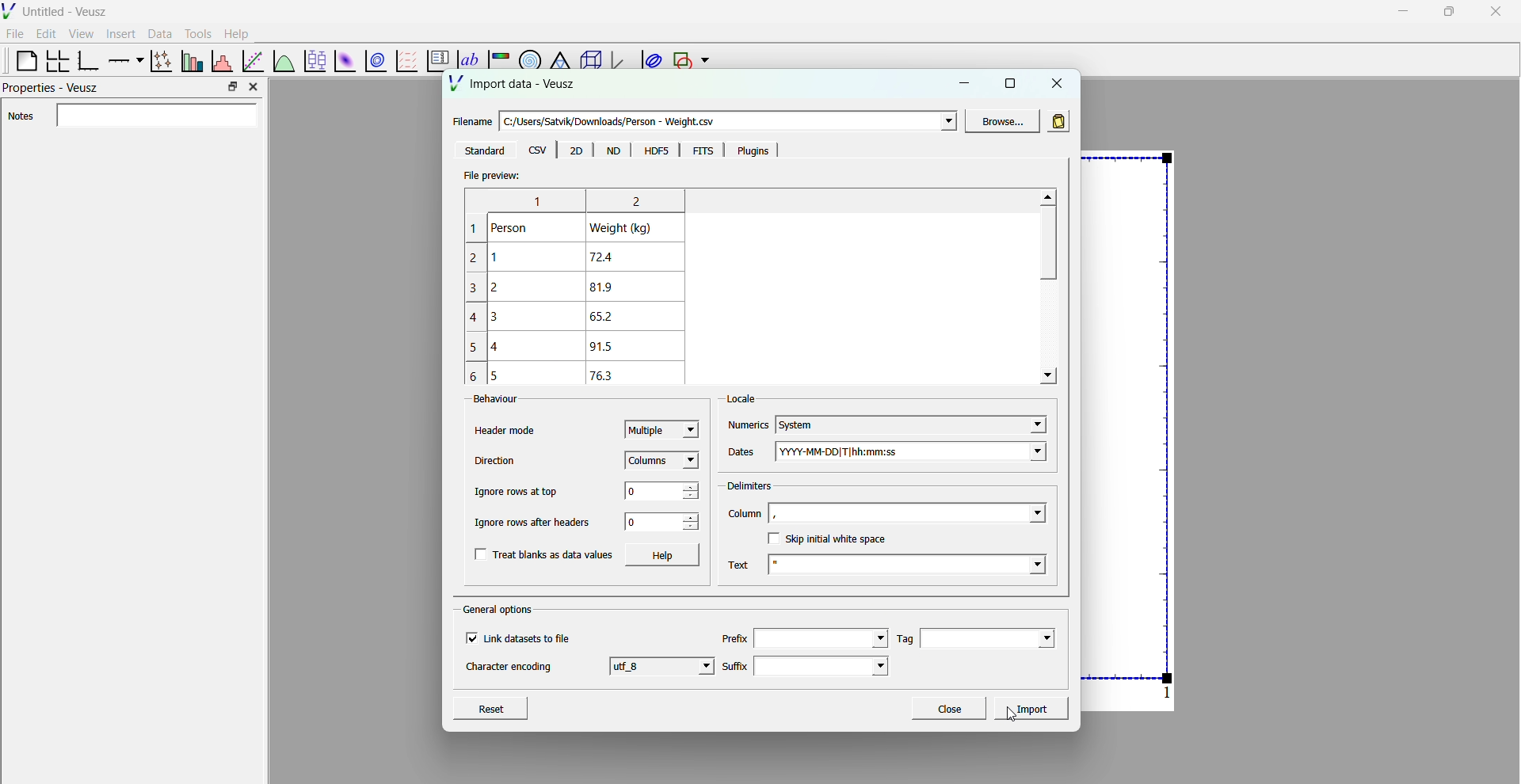 Image resolution: width=1521 pixels, height=784 pixels. I want to click on 0, so click(634, 522).